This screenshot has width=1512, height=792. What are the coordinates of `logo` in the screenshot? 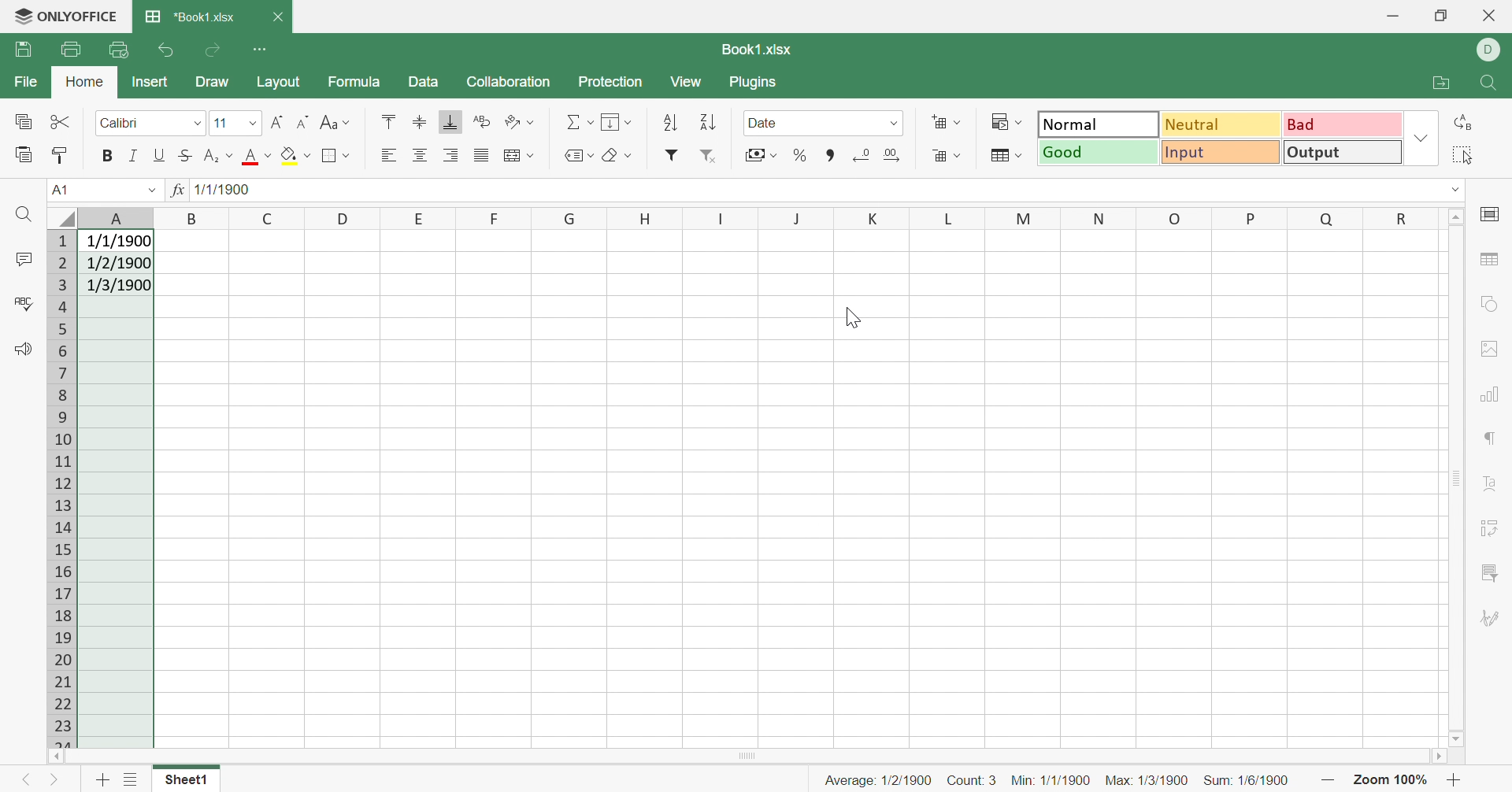 It's located at (16, 15).